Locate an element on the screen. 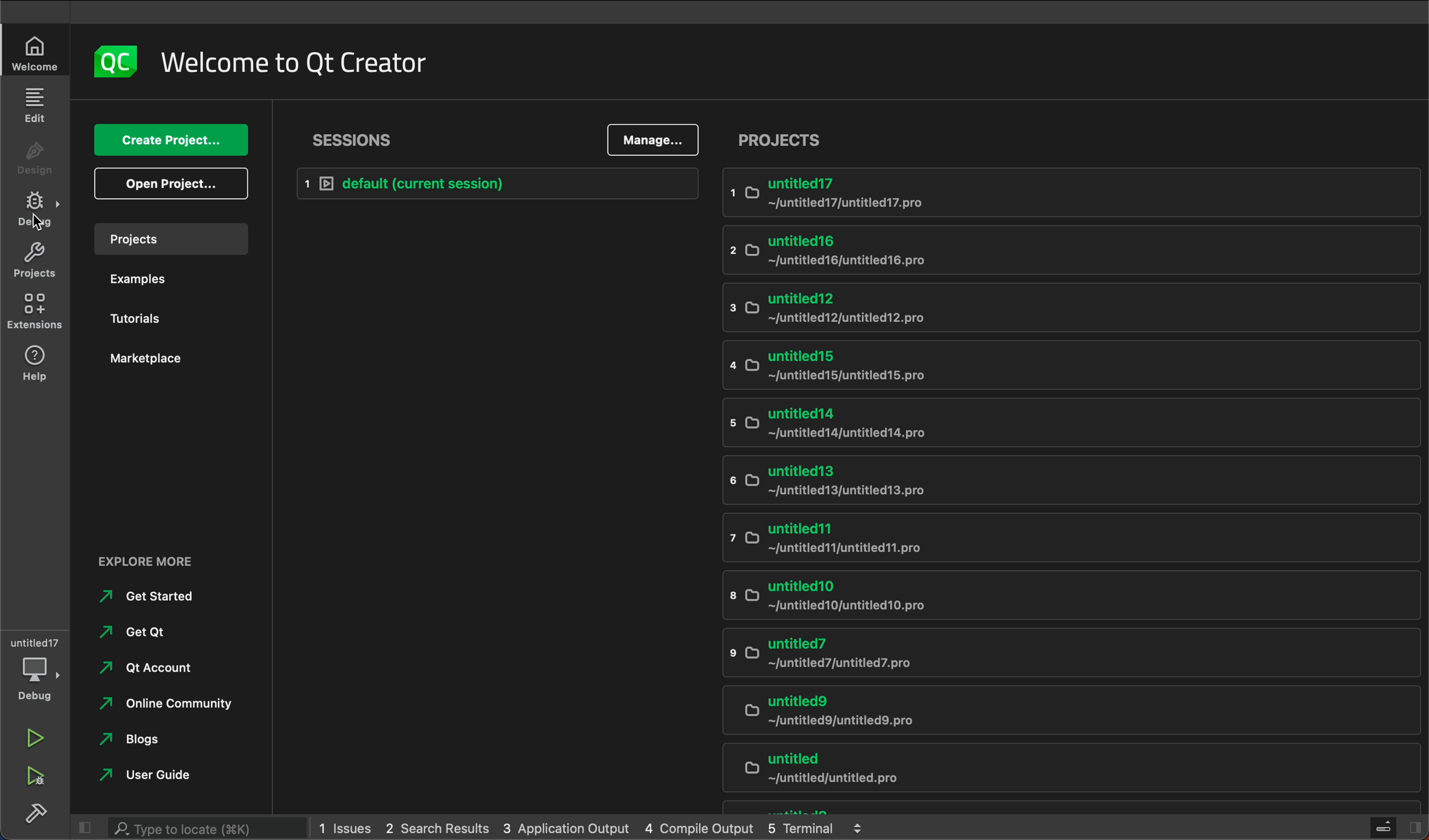 This screenshot has height=840, width=1429. projects is located at coordinates (175, 239).